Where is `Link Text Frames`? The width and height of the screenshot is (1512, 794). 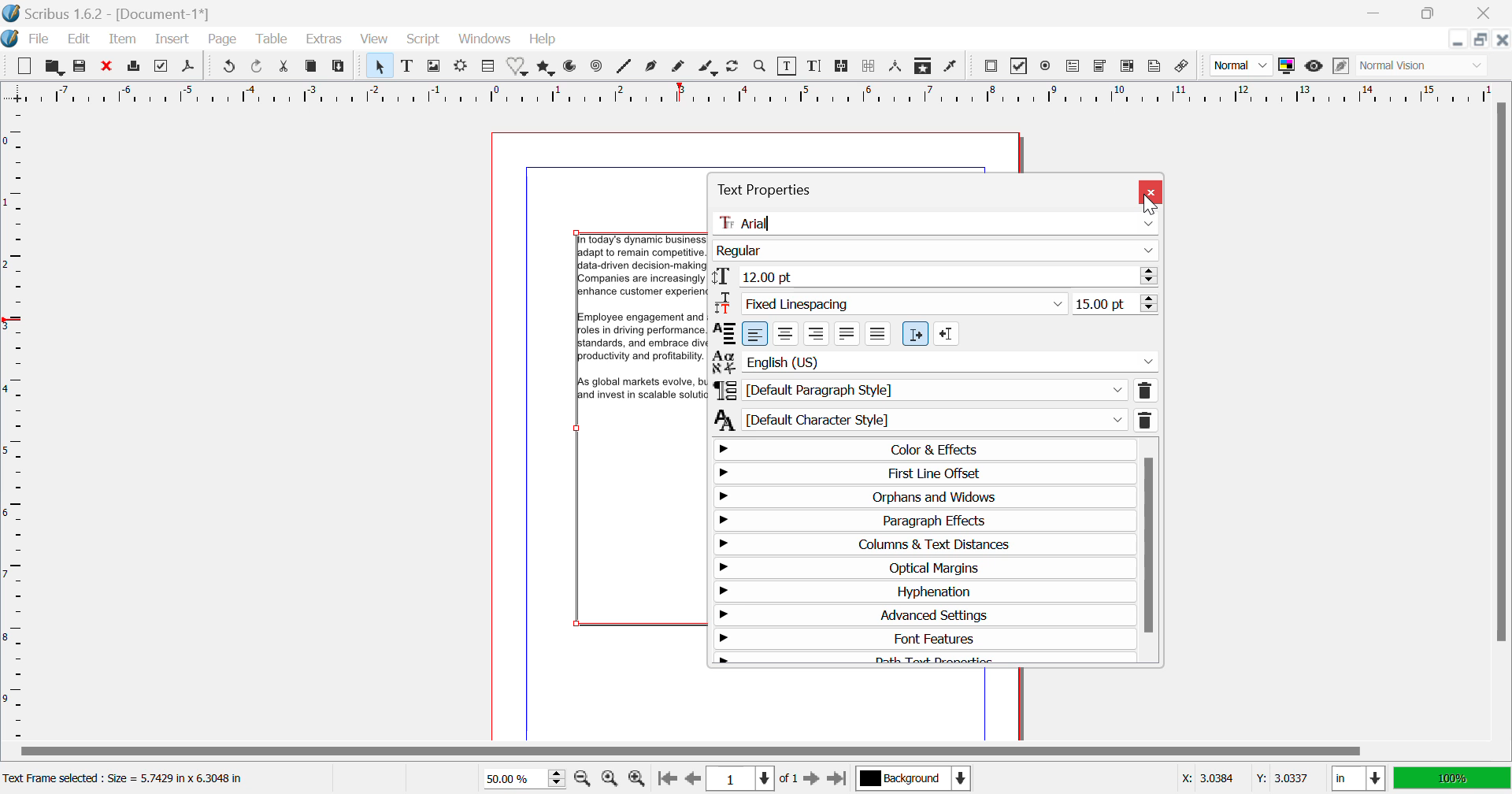 Link Text Frames is located at coordinates (844, 65).